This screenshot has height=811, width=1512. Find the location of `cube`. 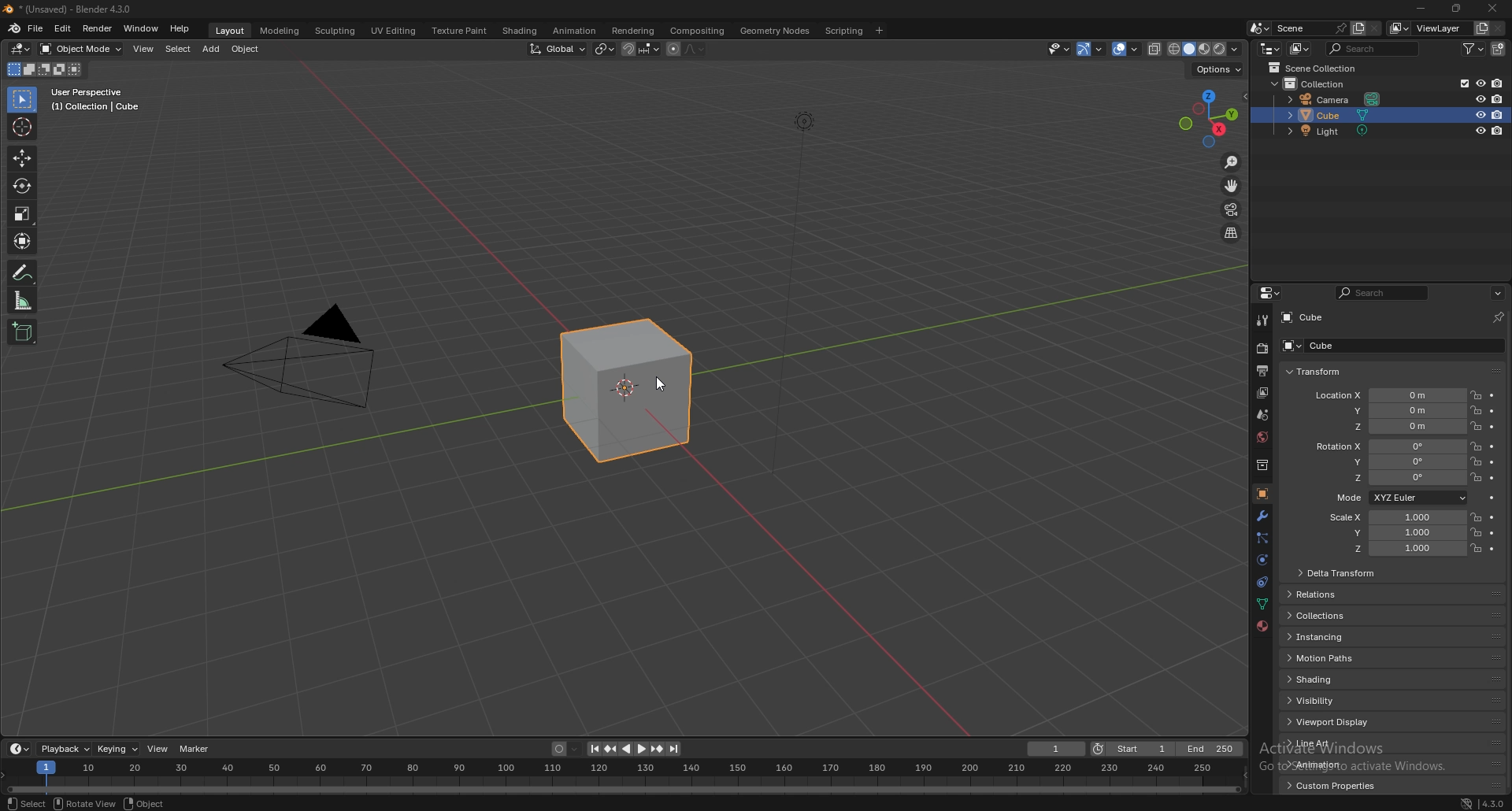

cube is located at coordinates (1361, 345).